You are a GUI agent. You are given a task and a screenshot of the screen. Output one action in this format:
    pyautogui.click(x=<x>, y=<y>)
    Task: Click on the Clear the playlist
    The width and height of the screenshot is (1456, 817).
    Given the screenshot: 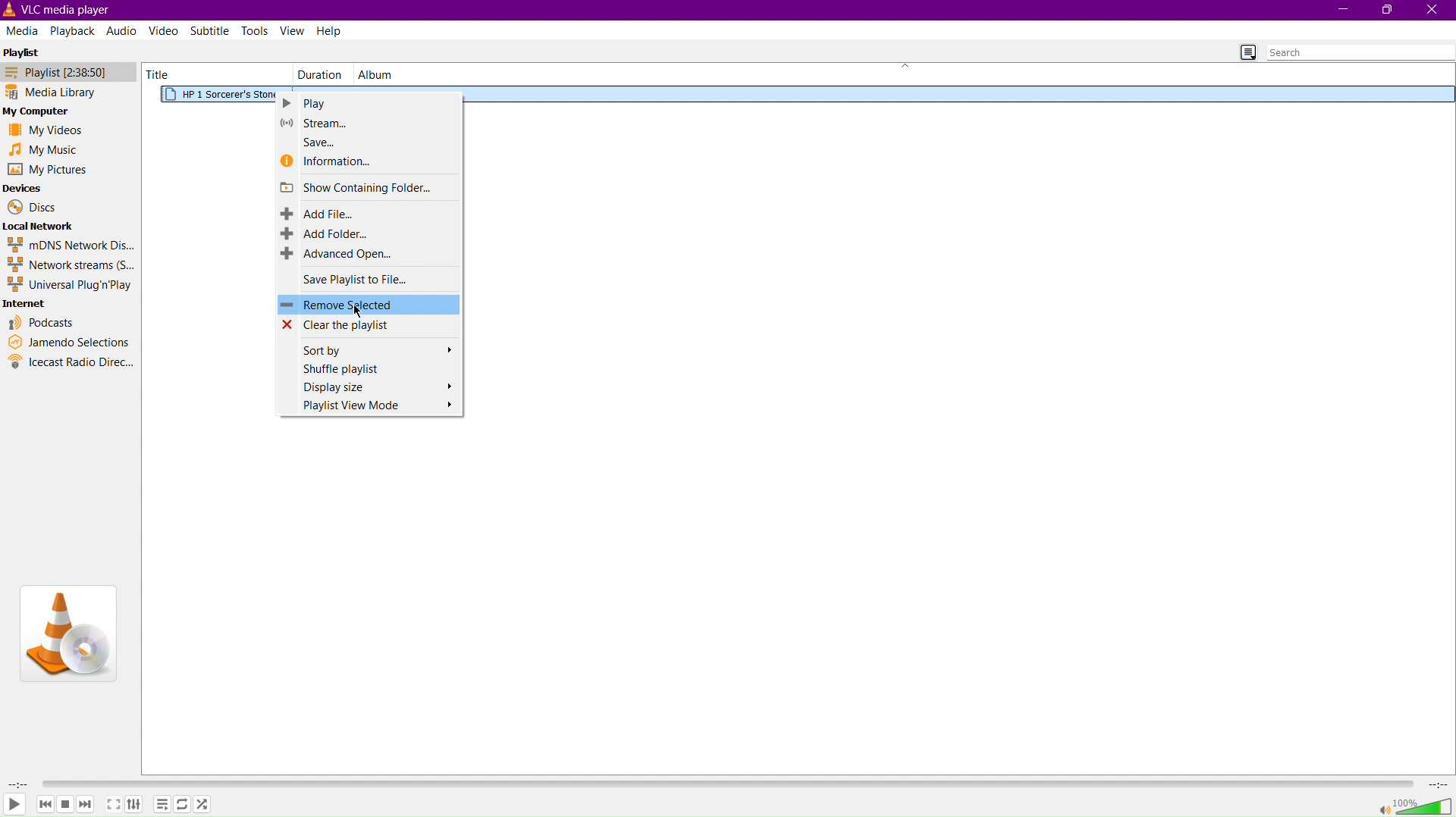 What is the action you would take?
    pyautogui.click(x=368, y=325)
    